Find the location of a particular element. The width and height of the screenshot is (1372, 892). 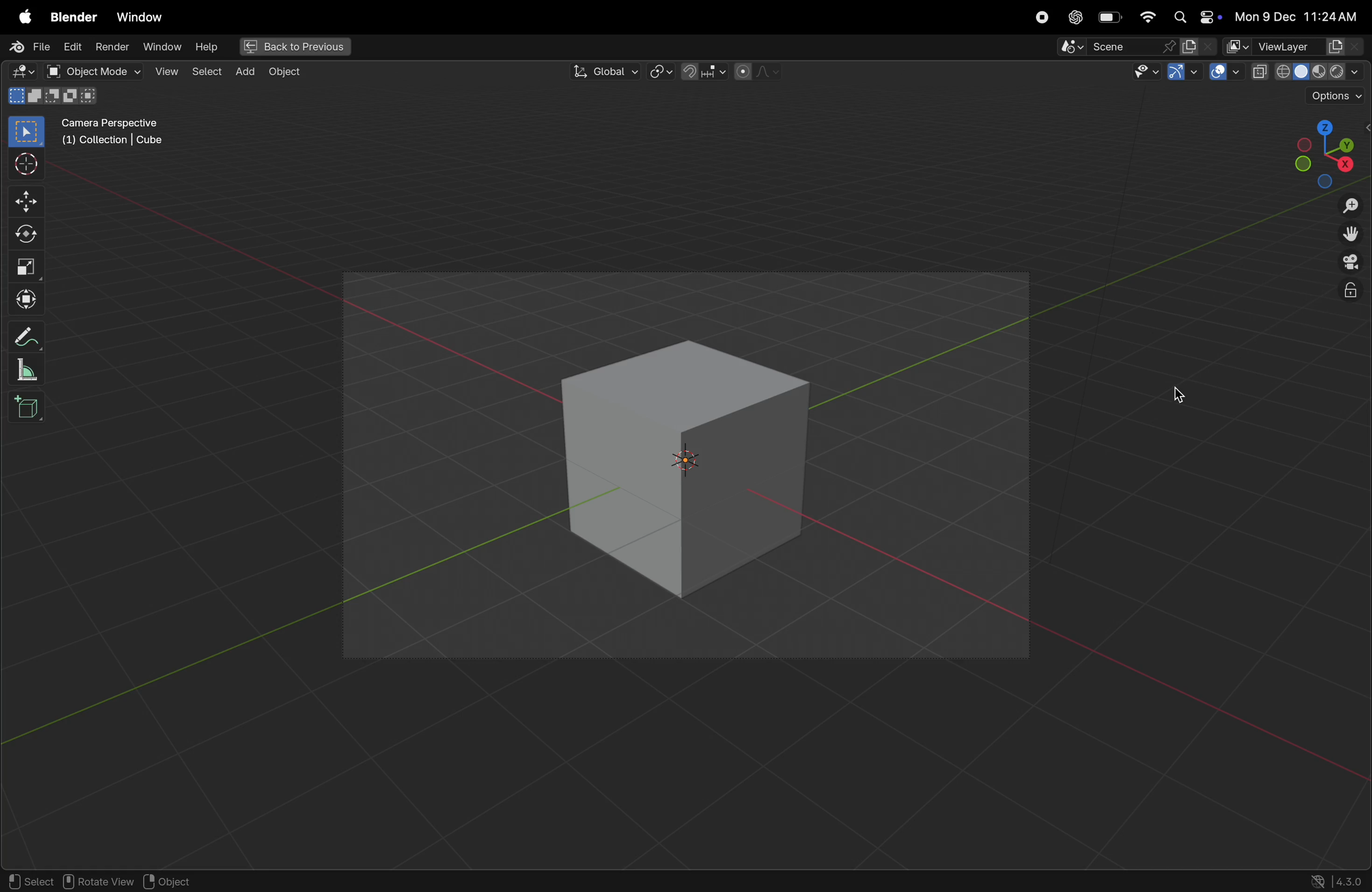

cursor is located at coordinates (21, 164).